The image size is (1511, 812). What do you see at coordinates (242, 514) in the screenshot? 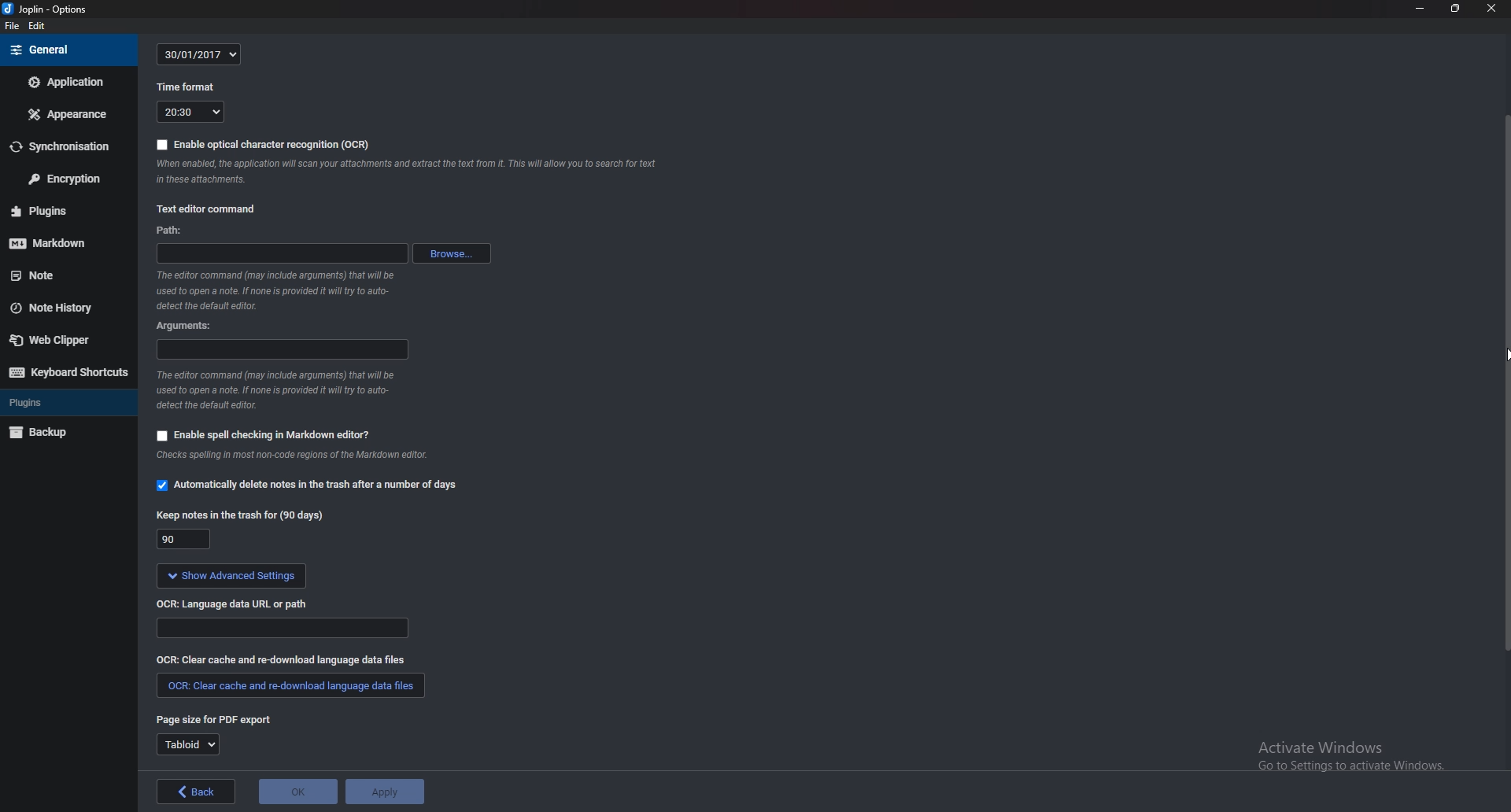
I see `keep note for 90 days` at bounding box center [242, 514].